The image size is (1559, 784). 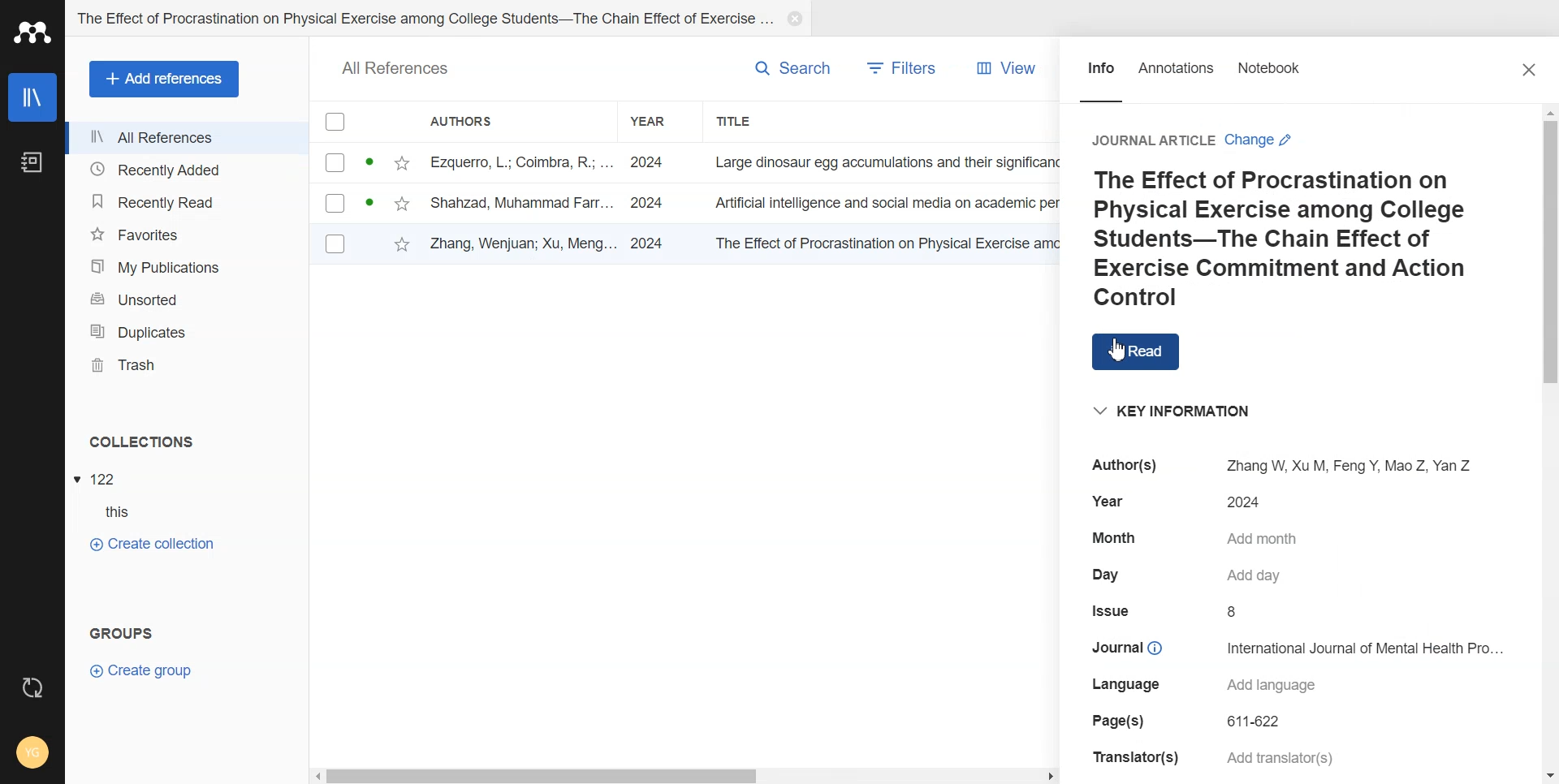 What do you see at coordinates (405, 201) in the screenshot?
I see `Favorite` at bounding box center [405, 201].